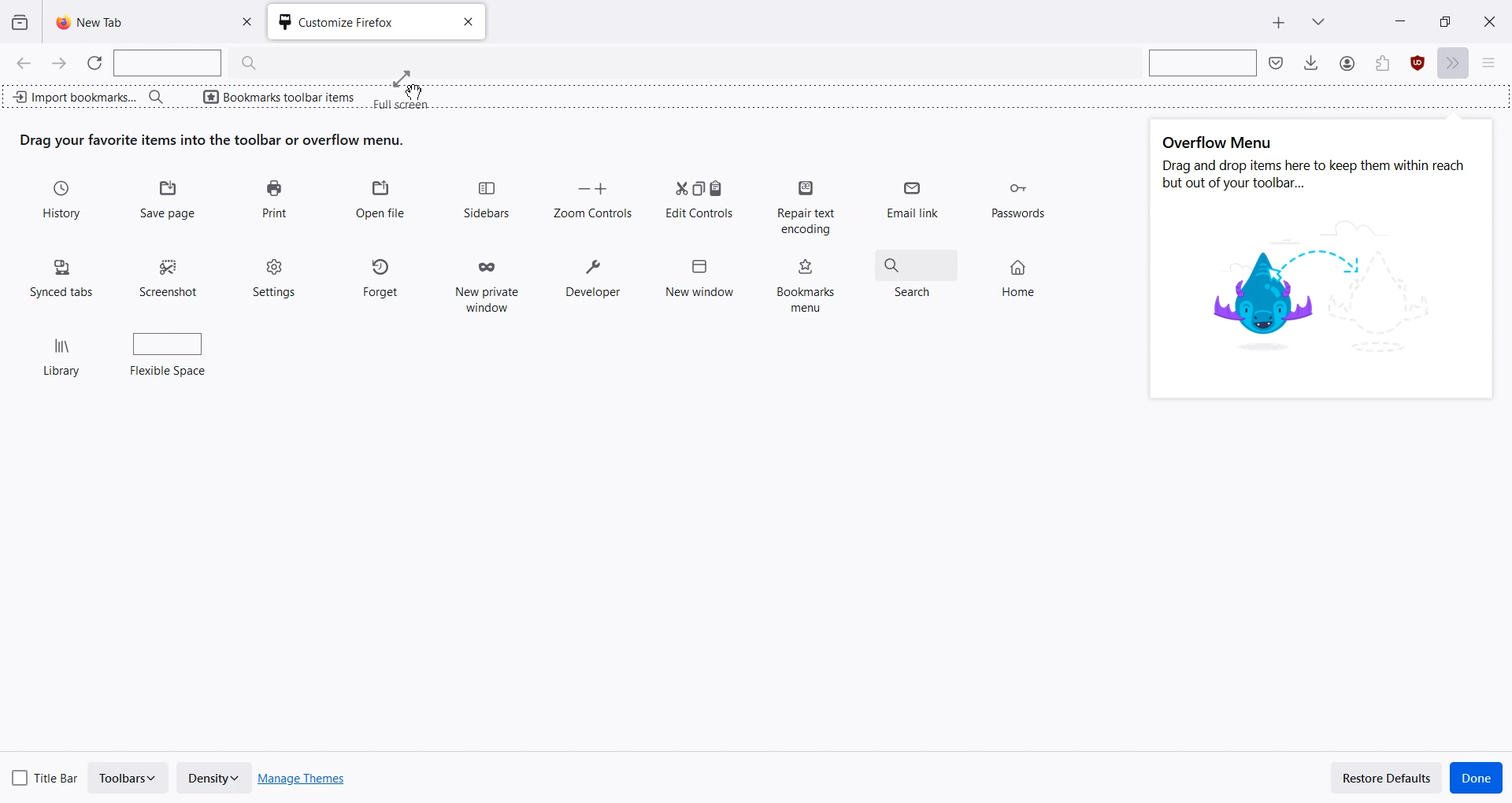  What do you see at coordinates (416, 94) in the screenshot?
I see `cursor` at bounding box center [416, 94].